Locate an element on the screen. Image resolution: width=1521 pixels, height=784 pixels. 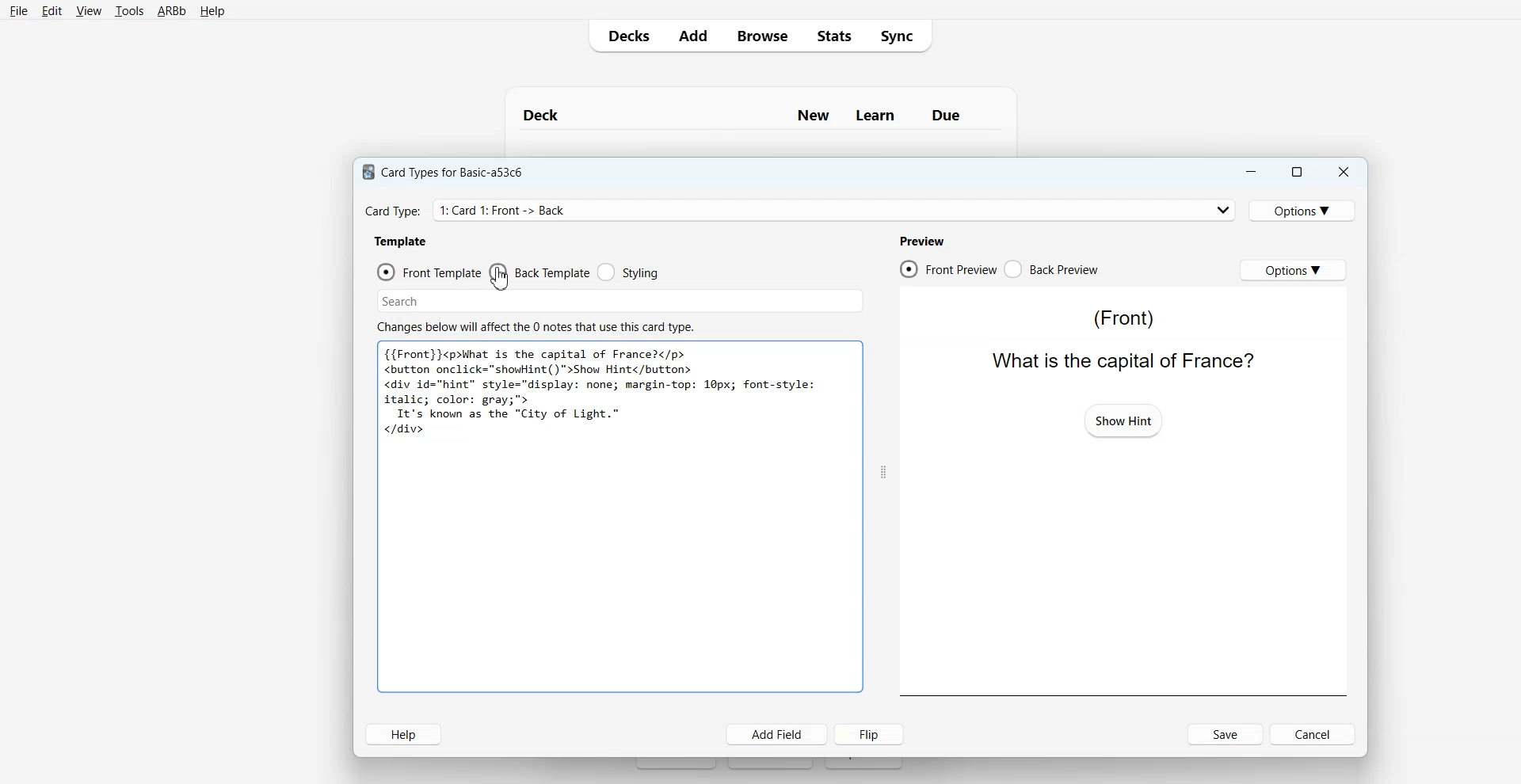
Card Type: 1: Card 1: Front -> Back is located at coordinates (509, 210).